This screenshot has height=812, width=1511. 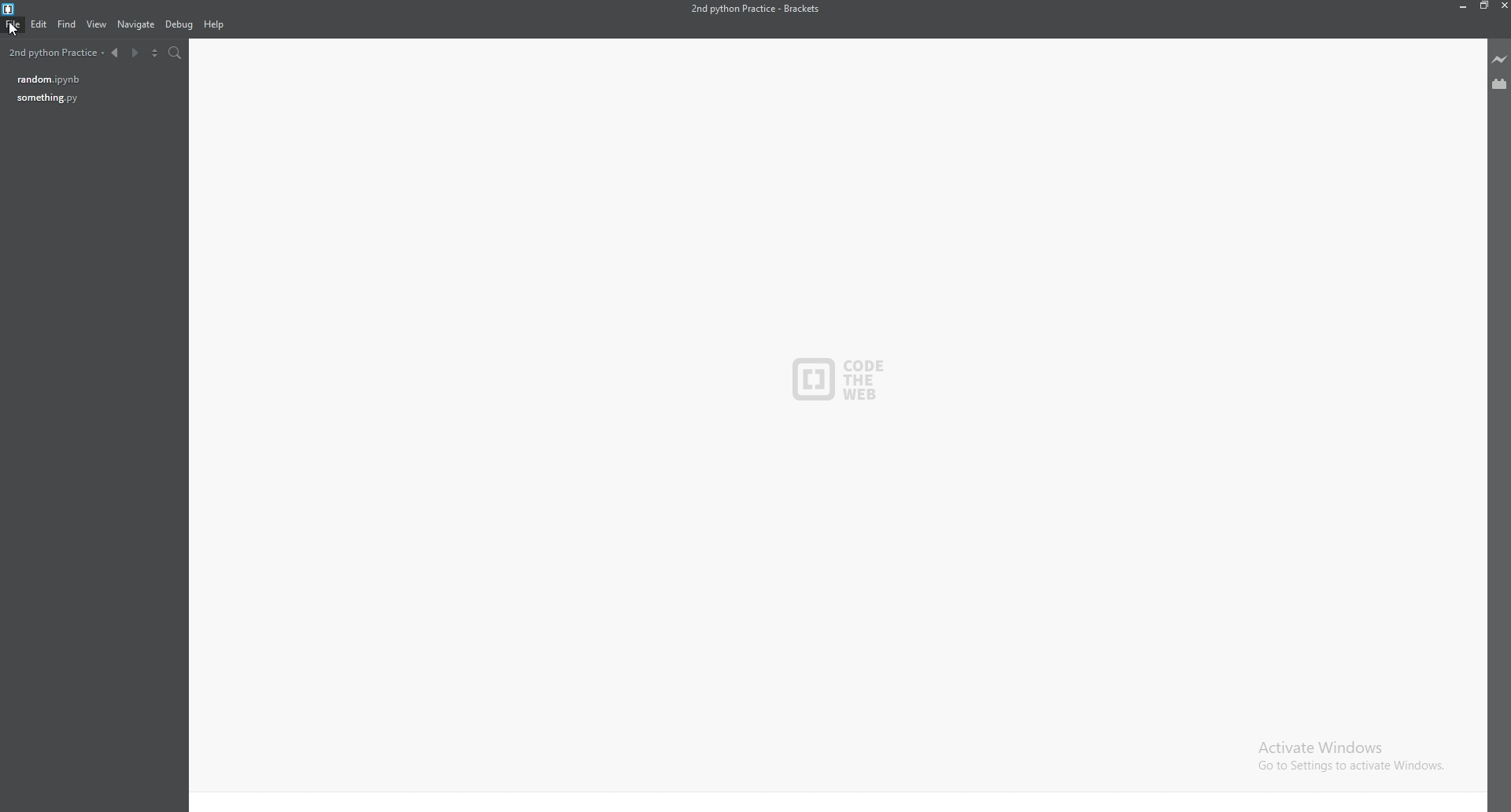 I want to click on bracket logo, so click(x=14, y=9).